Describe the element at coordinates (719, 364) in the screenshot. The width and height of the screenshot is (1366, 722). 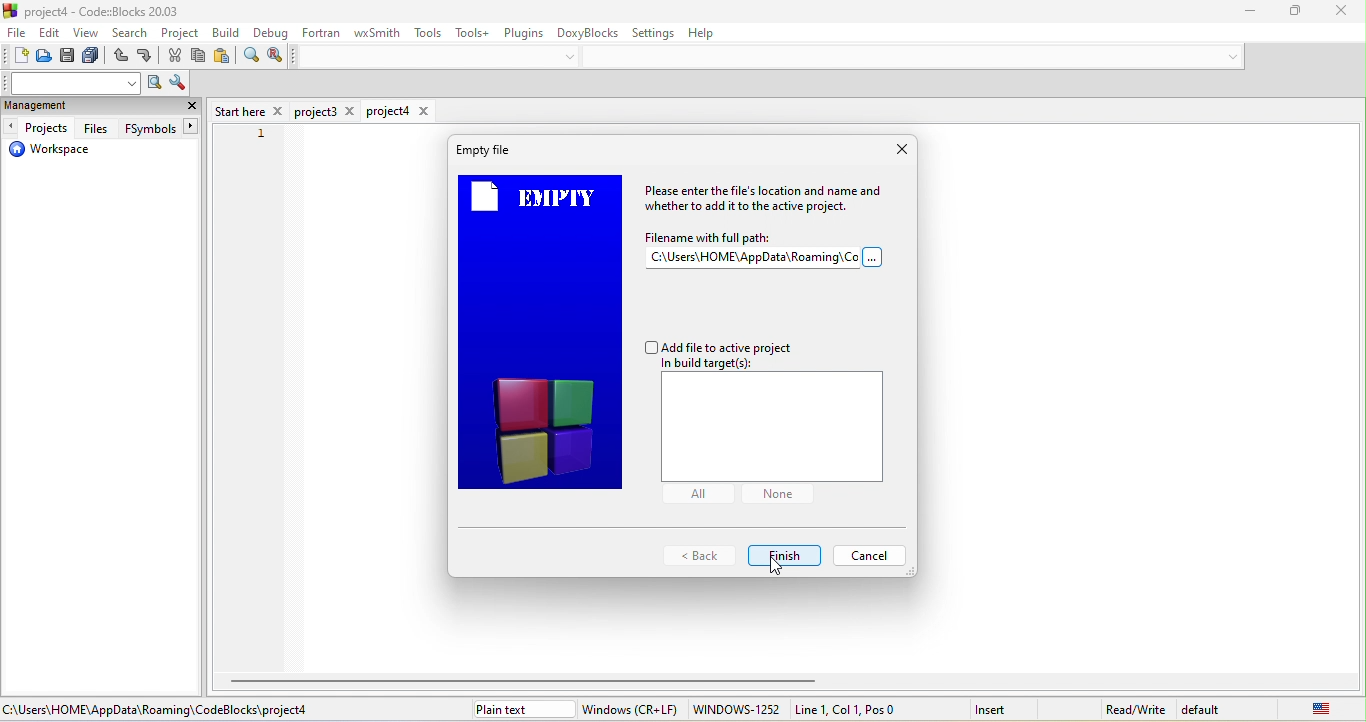
I see `In build target(s):` at that location.